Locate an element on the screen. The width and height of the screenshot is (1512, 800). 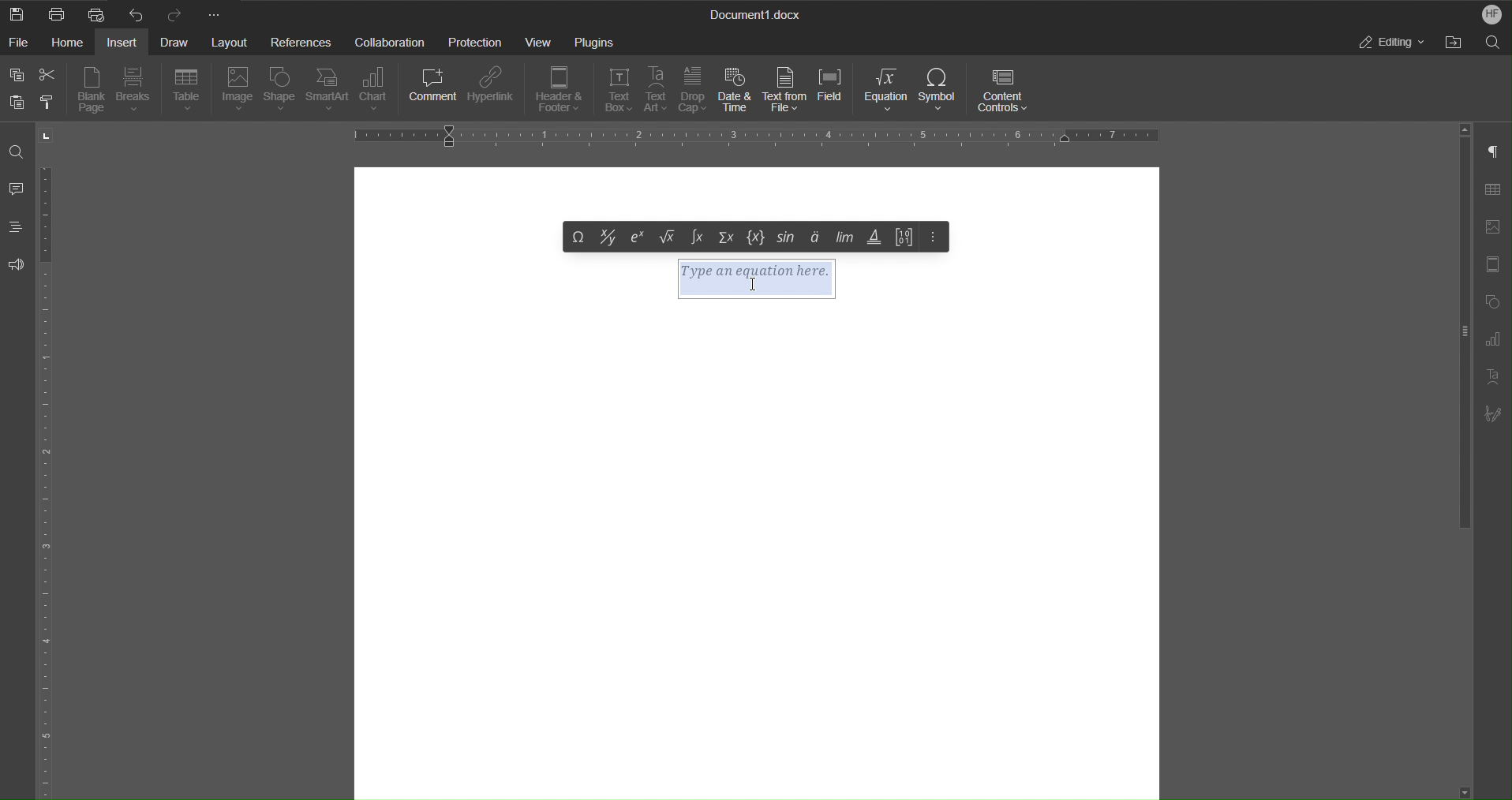
Header & Footer is located at coordinates (560, 90).